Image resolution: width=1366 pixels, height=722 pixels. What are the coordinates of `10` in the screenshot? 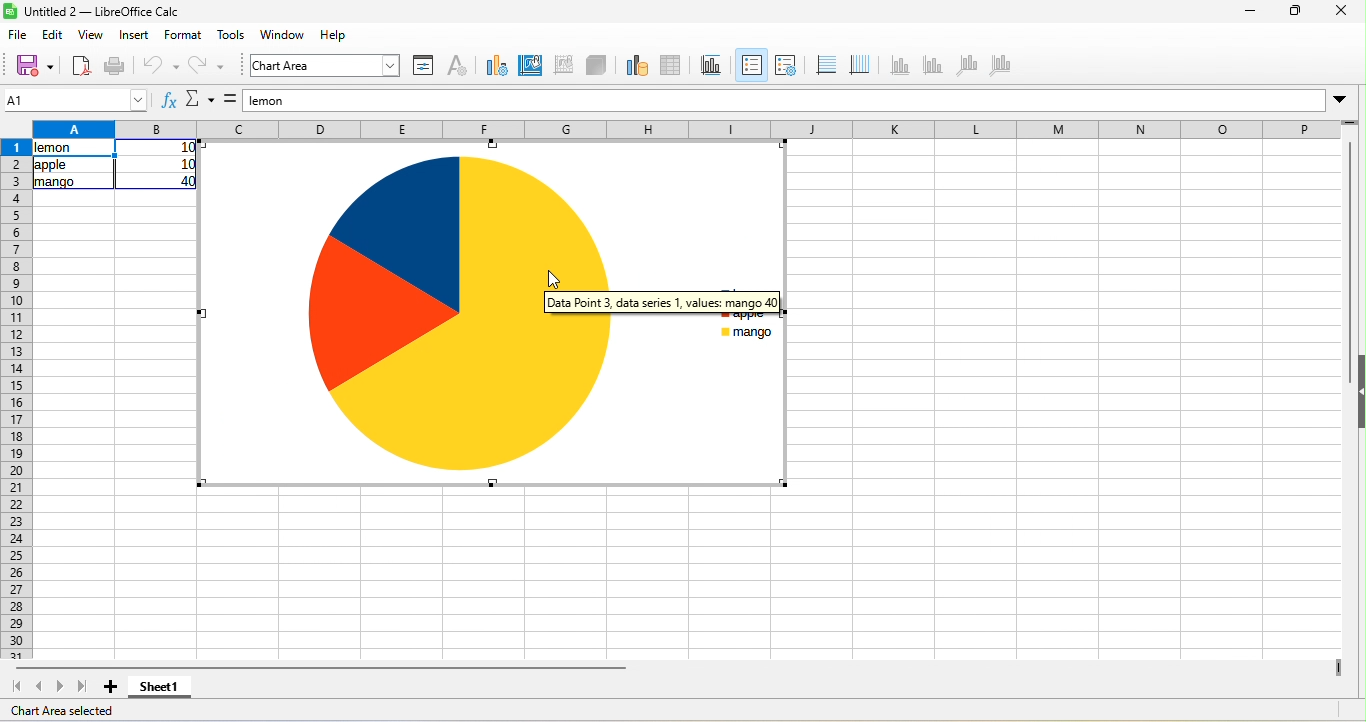 It's located at (158, 164).